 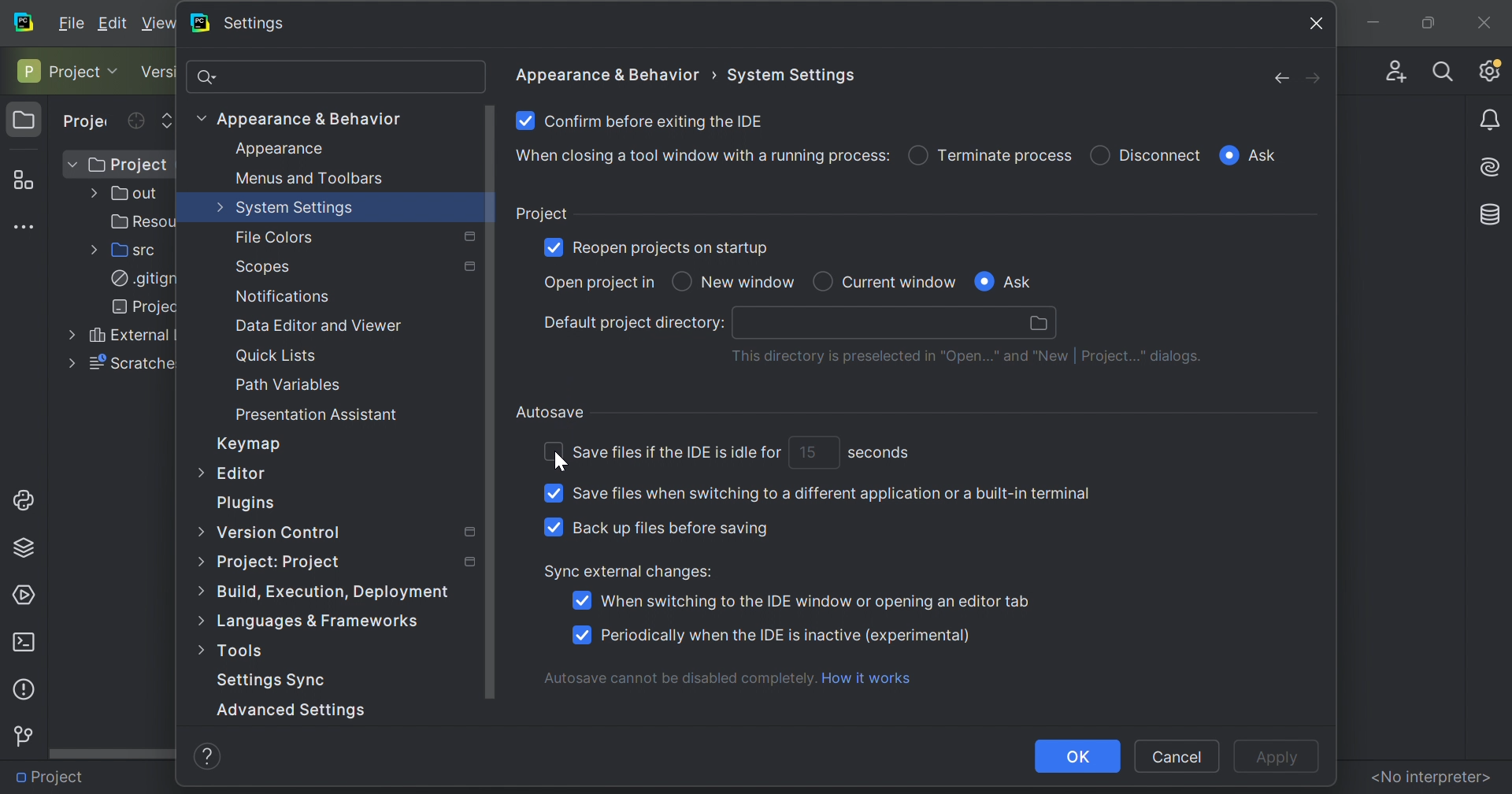 What do you see at coordinates (1314, 78) in the screenshot?
I see `Forward` at bounding box center [1314, 78].